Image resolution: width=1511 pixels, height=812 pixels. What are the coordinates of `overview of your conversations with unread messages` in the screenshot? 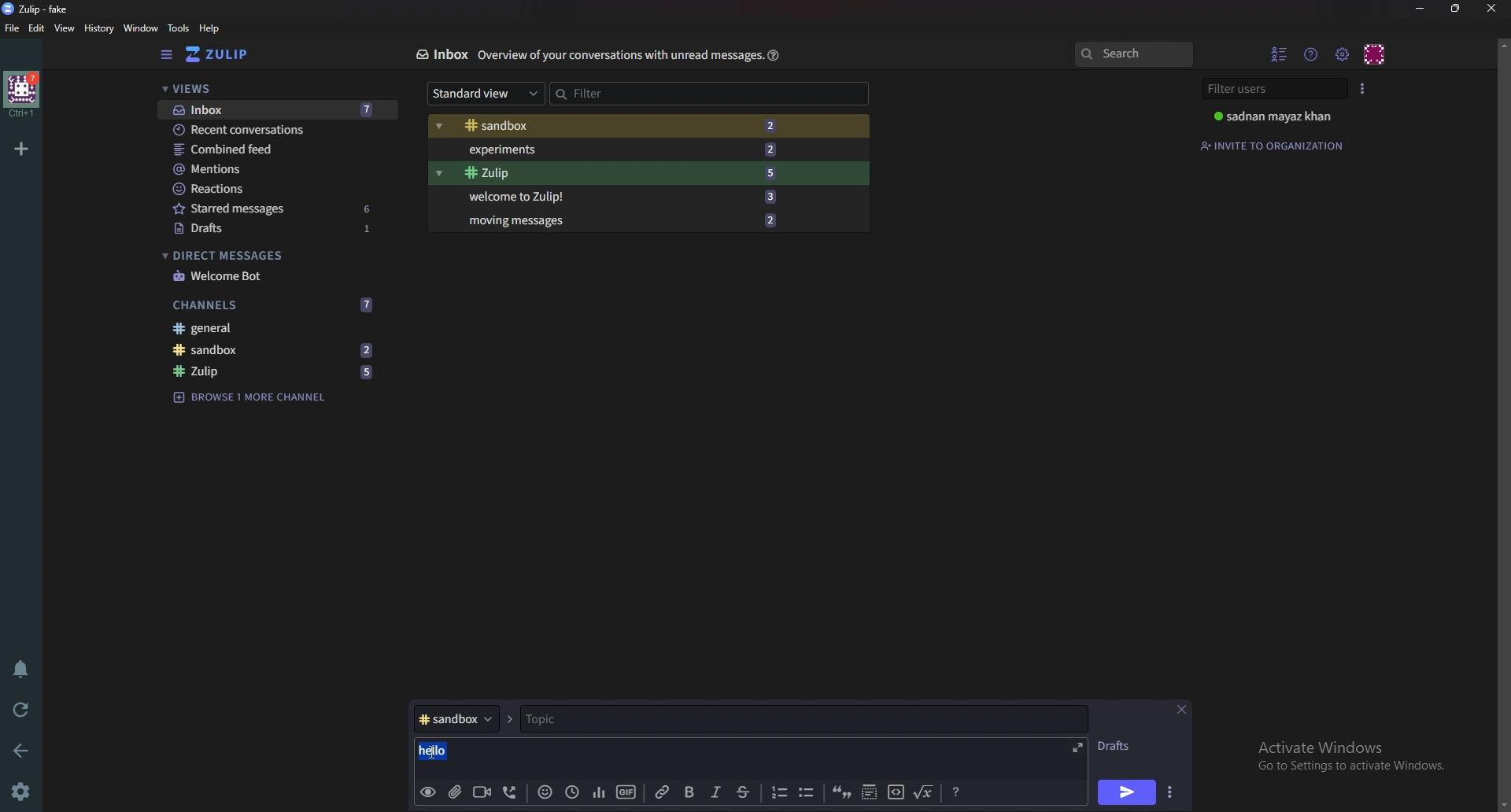 It's located at (619, 55).